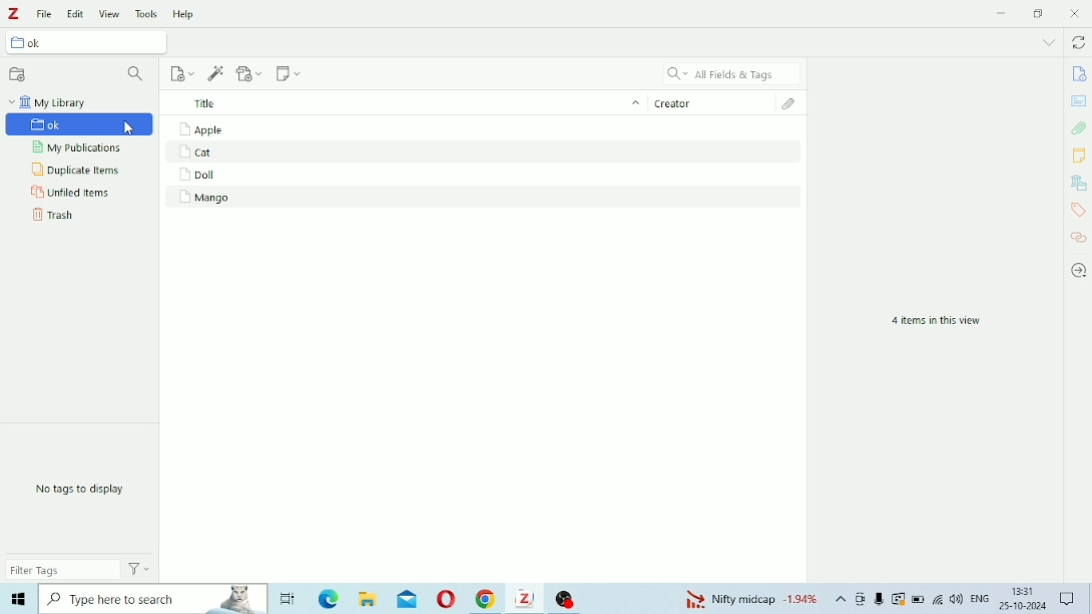 The image size is (1092, 614). I want to click on Actions, so click(139, 568).